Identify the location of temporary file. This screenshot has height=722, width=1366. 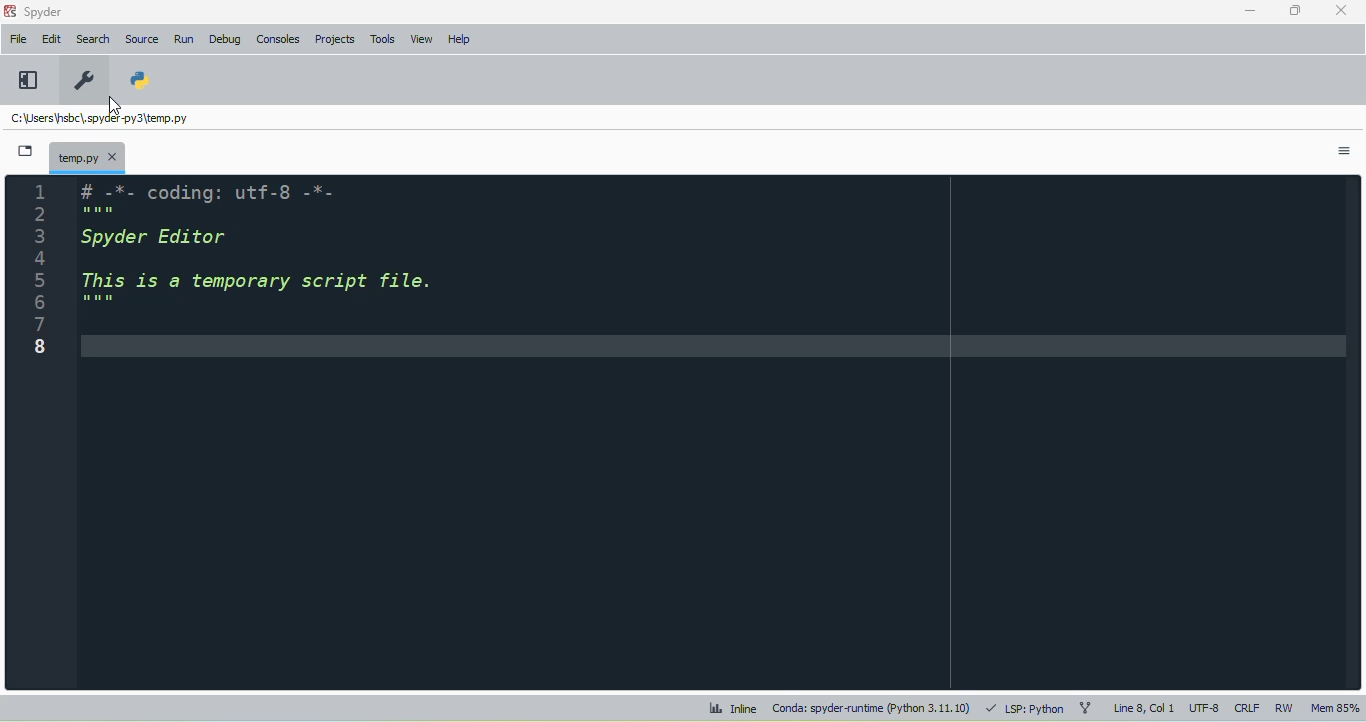
(88, 157).